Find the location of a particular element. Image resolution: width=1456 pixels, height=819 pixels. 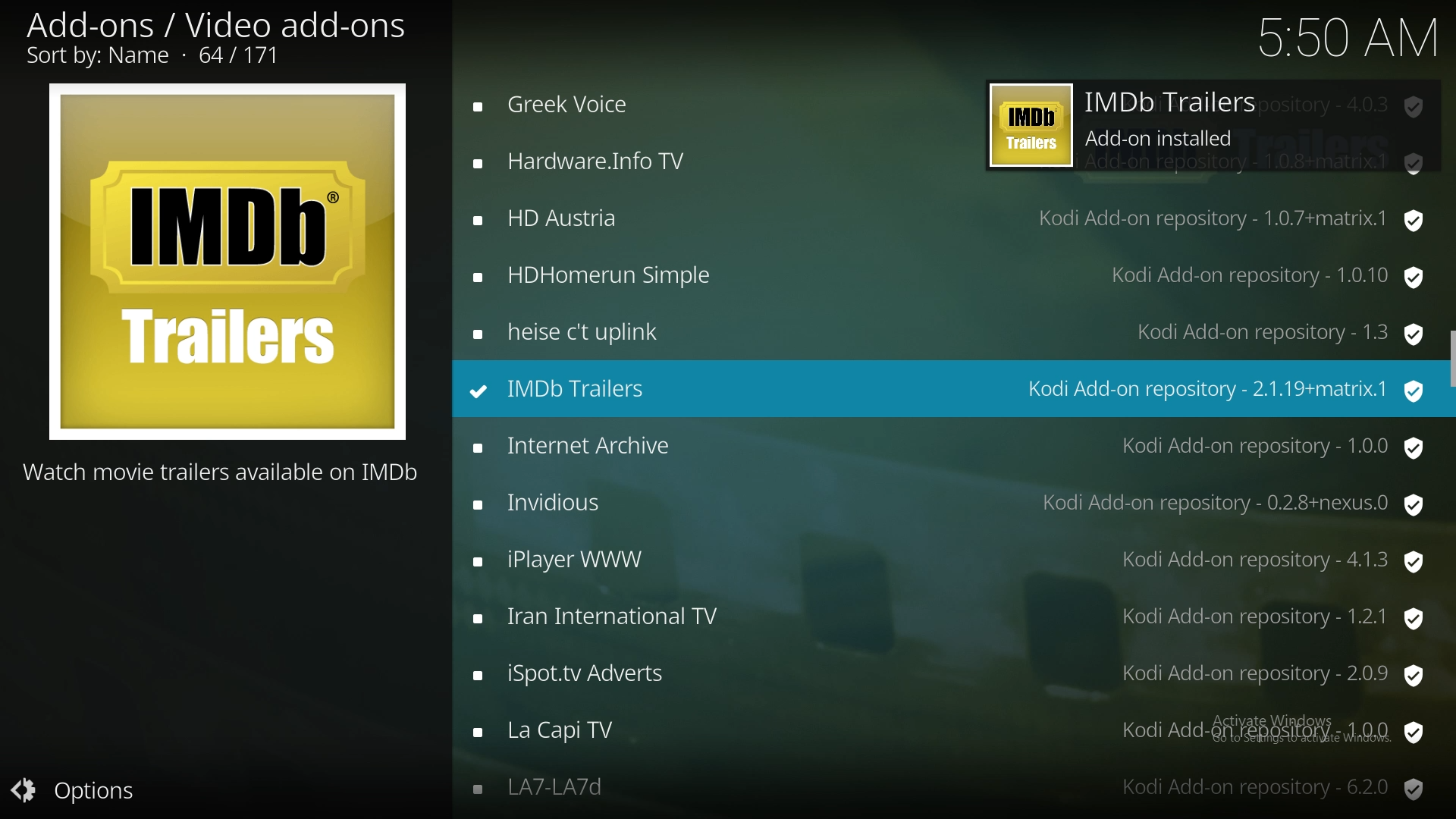

add on is located at coordinates (948, 336).